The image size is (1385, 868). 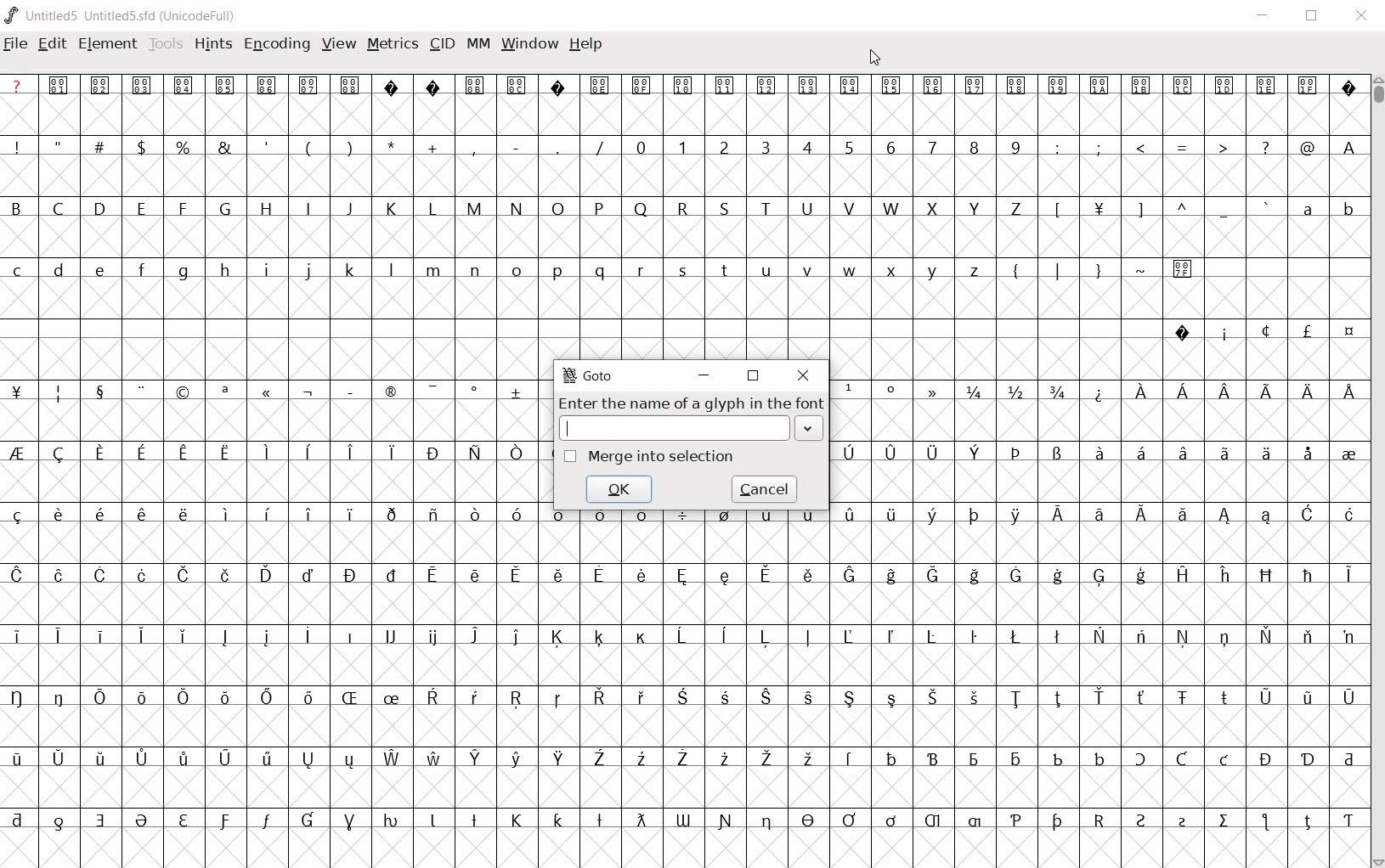 I want to click on Symbol, so click(x=1015, y=758).